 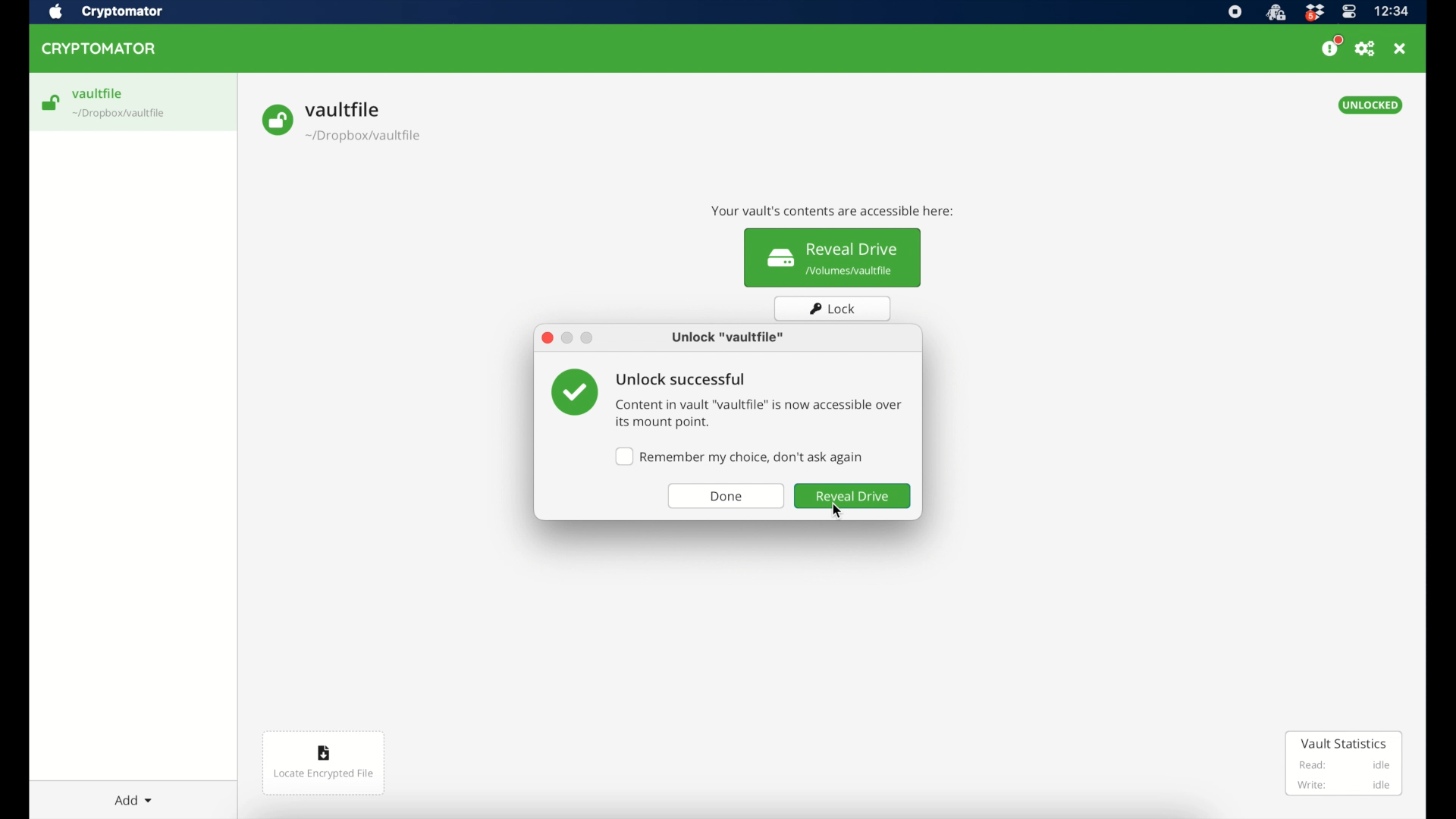 What do you see at coordinates (588, 340) in the screenshot?
I see `maximize` at bounding box center [588, 340].